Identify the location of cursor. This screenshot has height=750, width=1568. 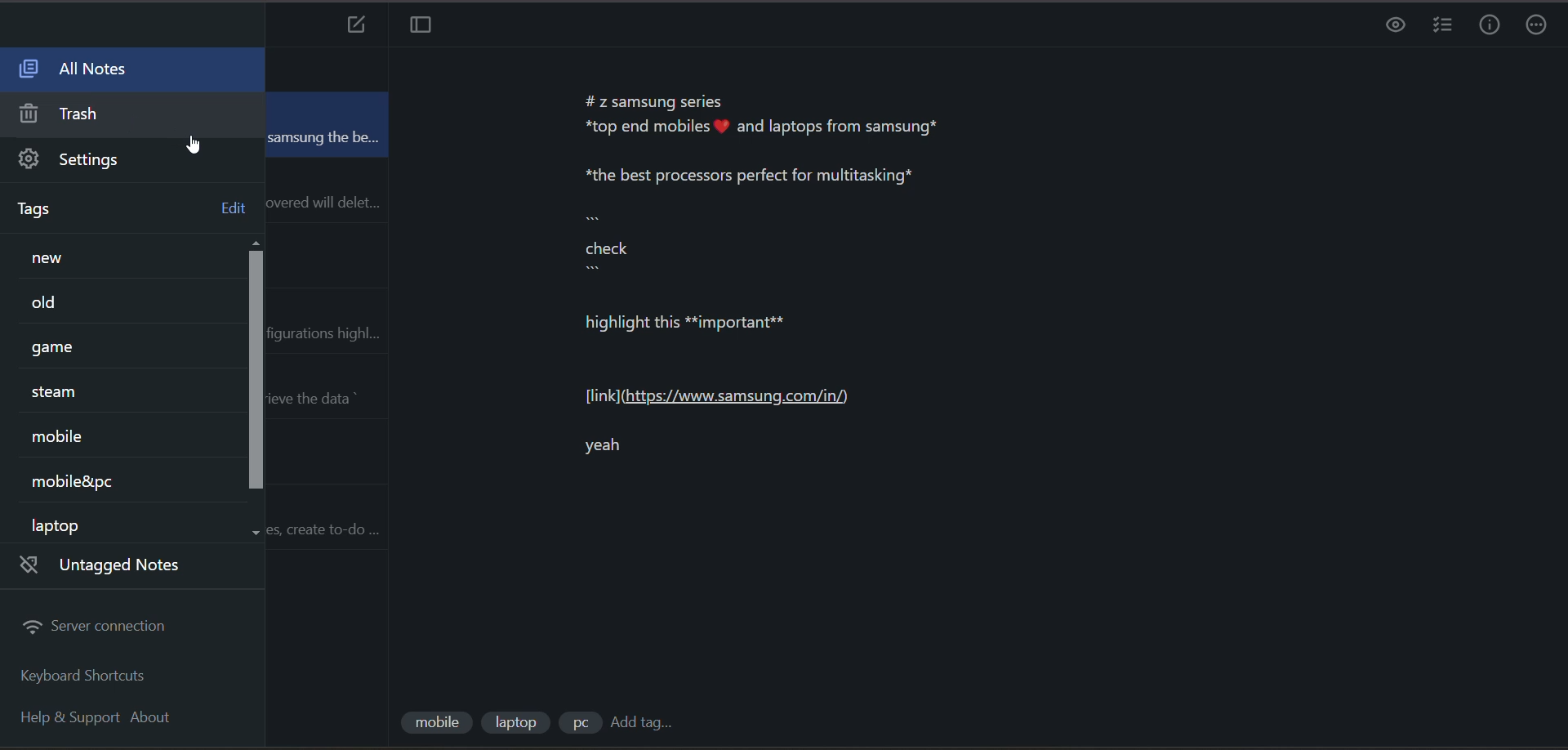
(195, 148).